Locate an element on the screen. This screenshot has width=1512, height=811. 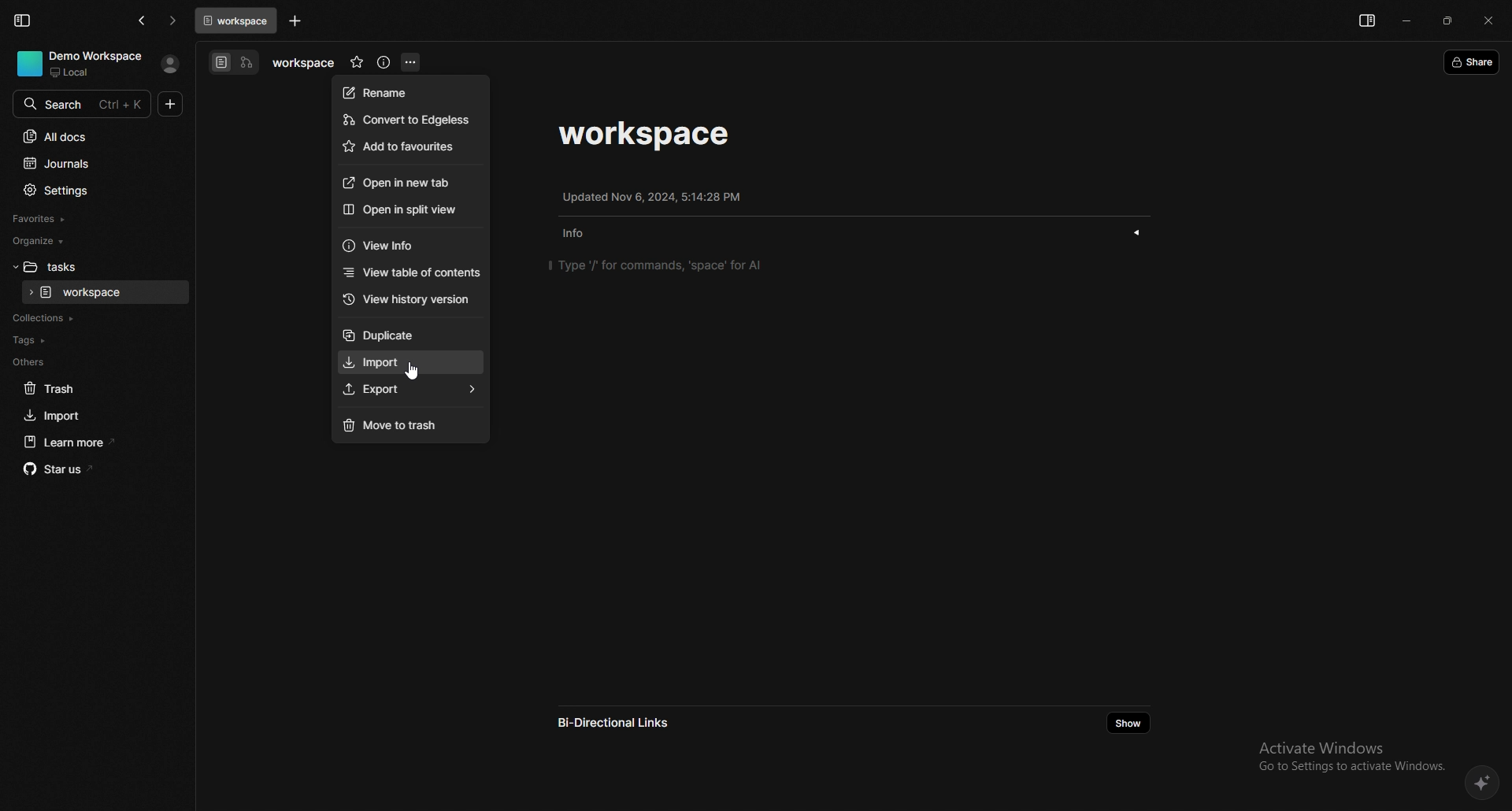
view history version is located at coordinates (413, 299).